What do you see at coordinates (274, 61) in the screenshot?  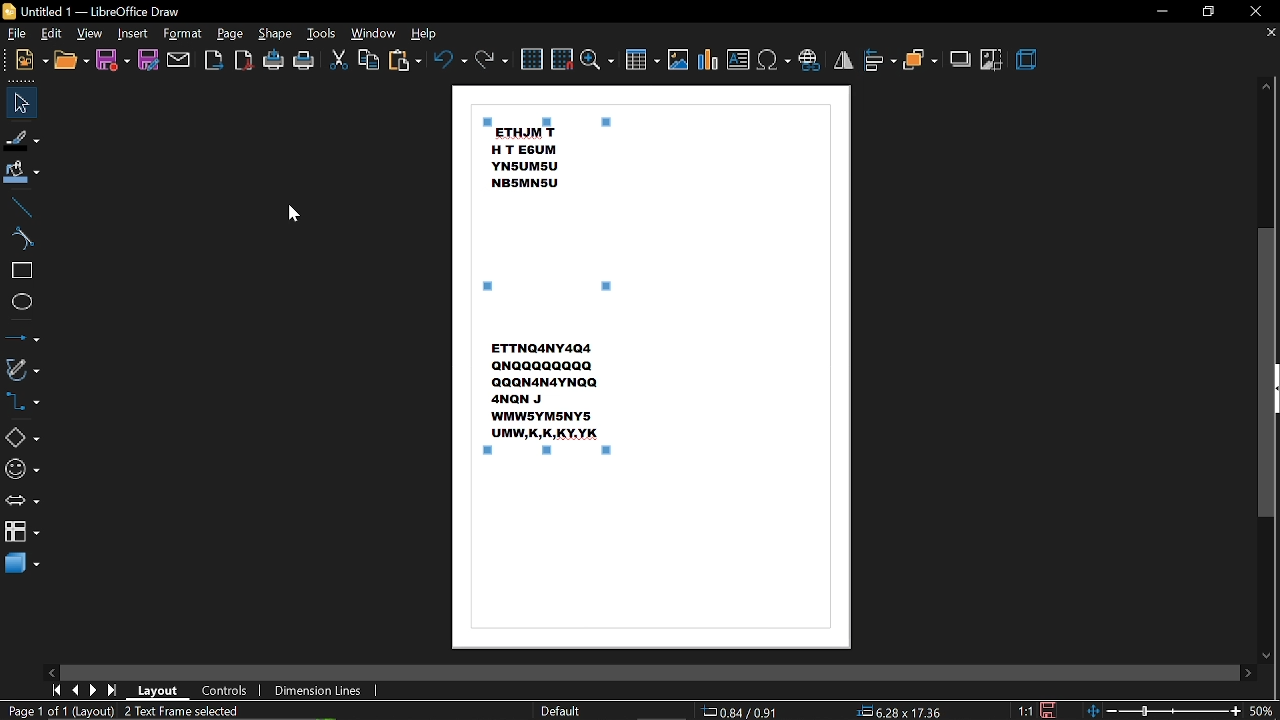 I see `print directly` at bounding box center [274, 61].